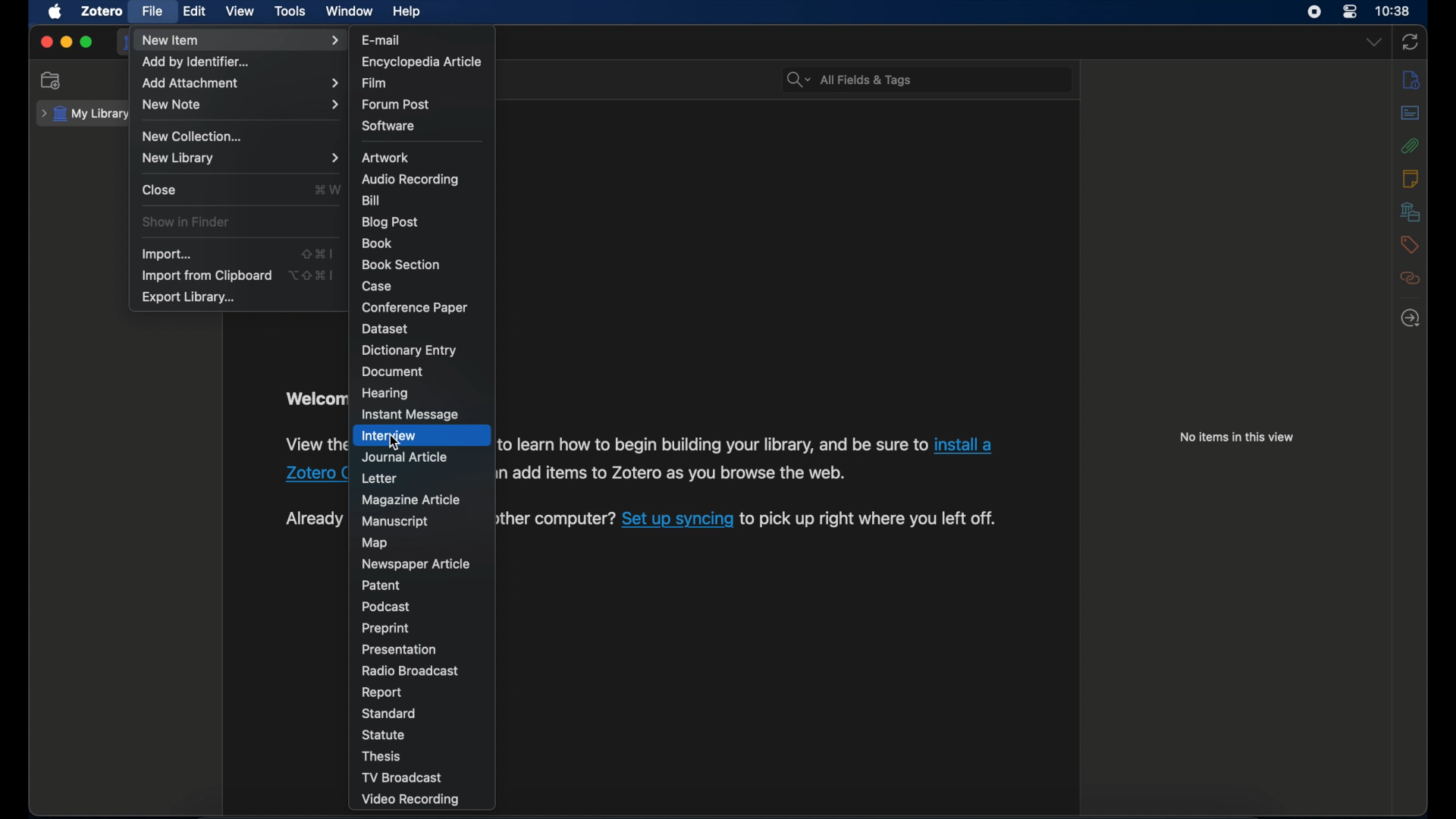 This screenshot has width=1456, height=819. I want to click on view the, so click(312, 444).